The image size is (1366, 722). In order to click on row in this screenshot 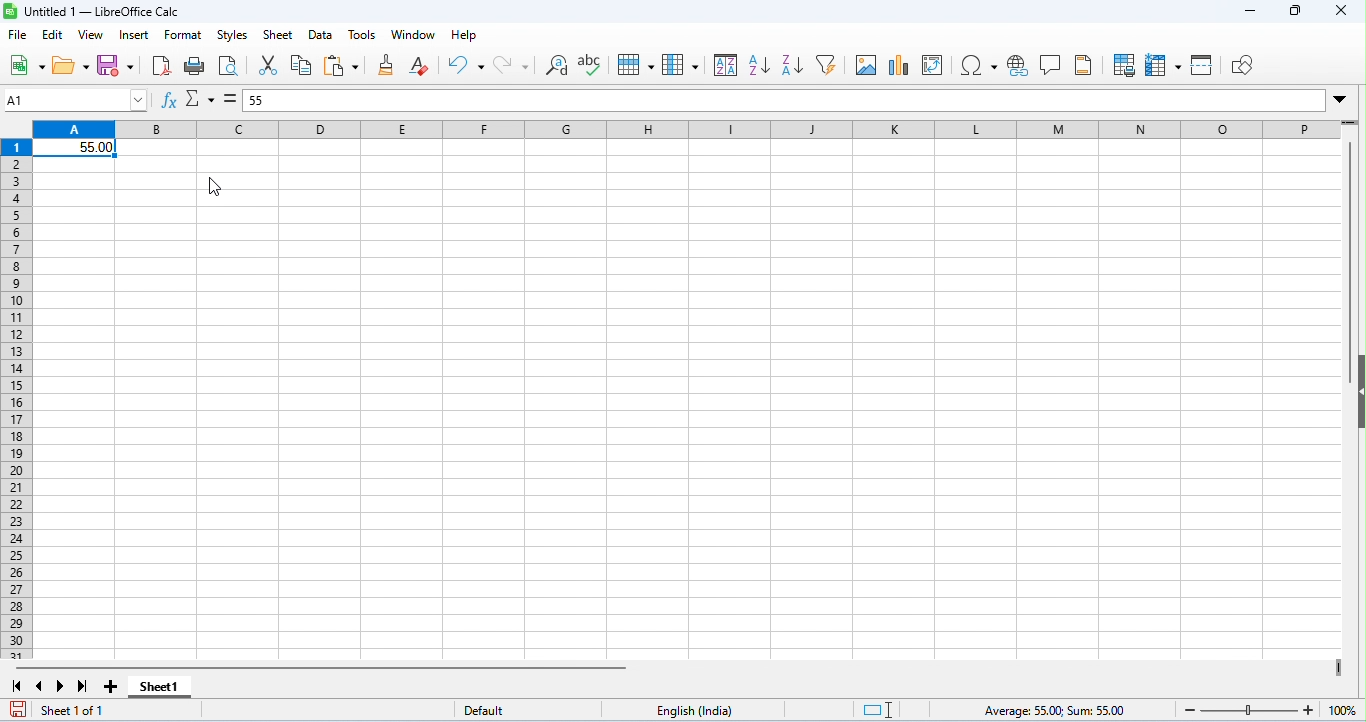, I will do `click(638, 65)`.